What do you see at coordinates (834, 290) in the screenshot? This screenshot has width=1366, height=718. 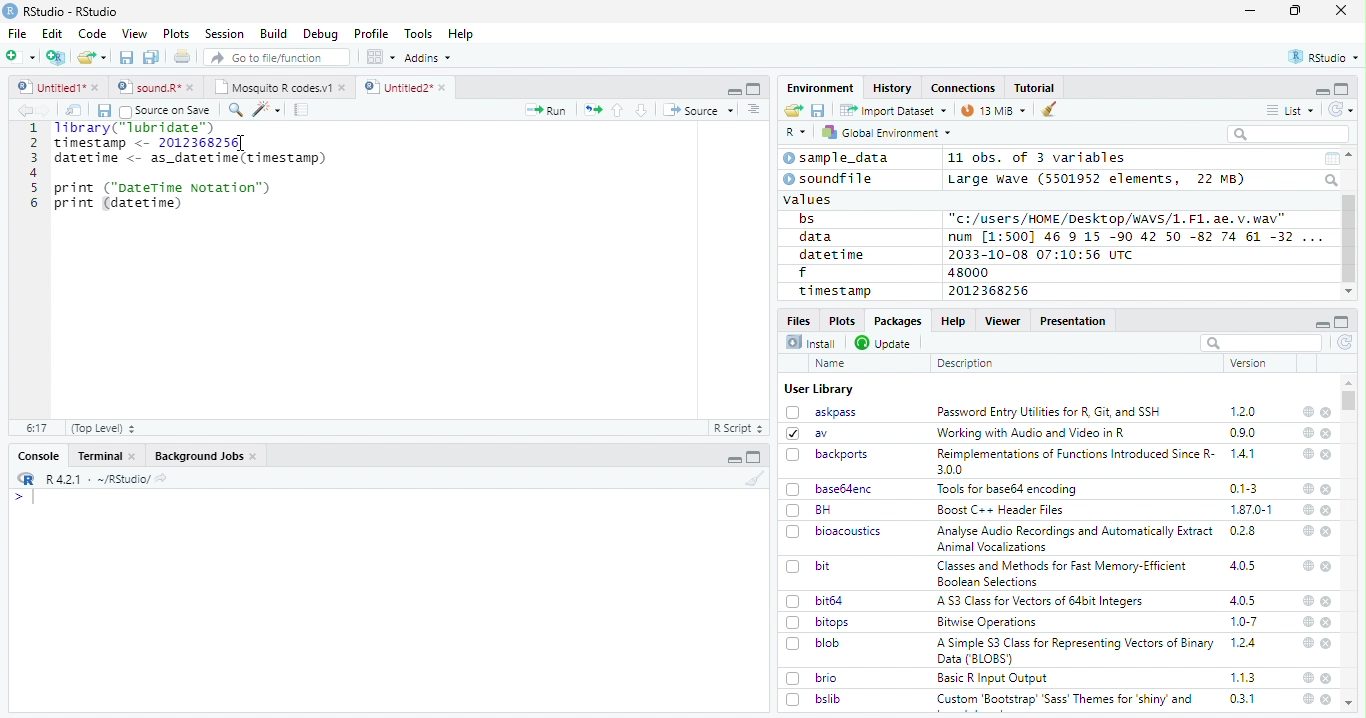 I see `timestamp` at bounding box center [834, 290].